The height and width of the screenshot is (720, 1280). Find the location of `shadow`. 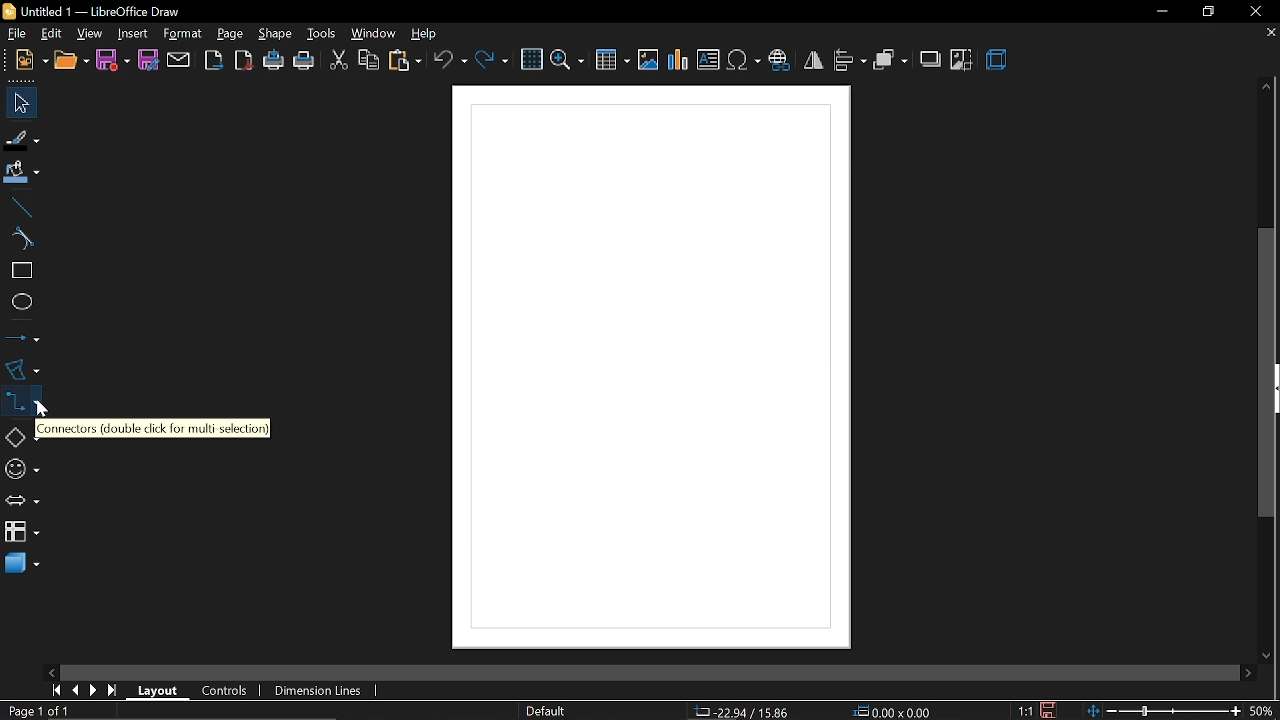

shadow is located at coordinates (929, 59).